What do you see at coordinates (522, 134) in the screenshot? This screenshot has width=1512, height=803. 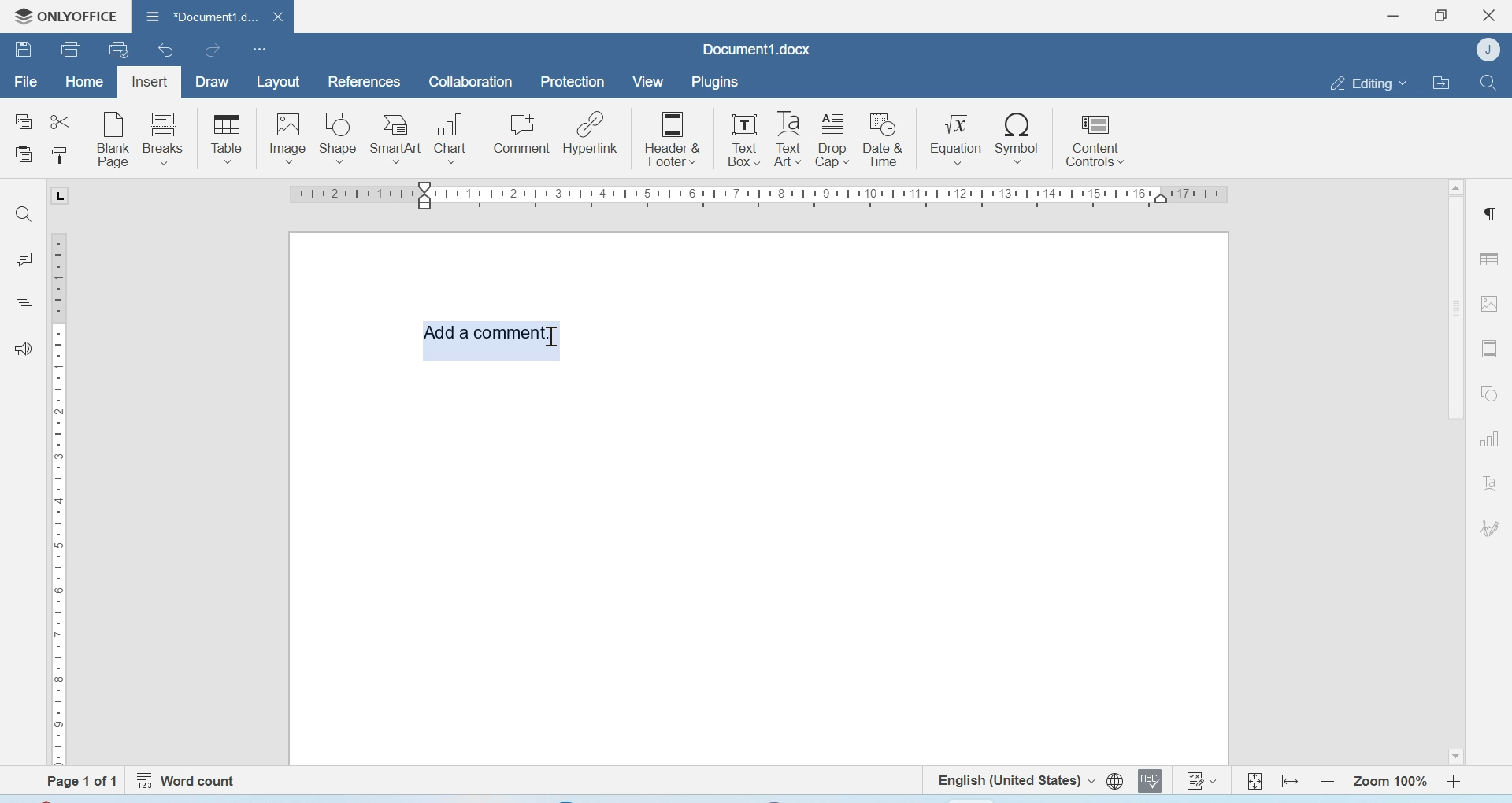 I see `Comment` at bounding box center [522, 134].